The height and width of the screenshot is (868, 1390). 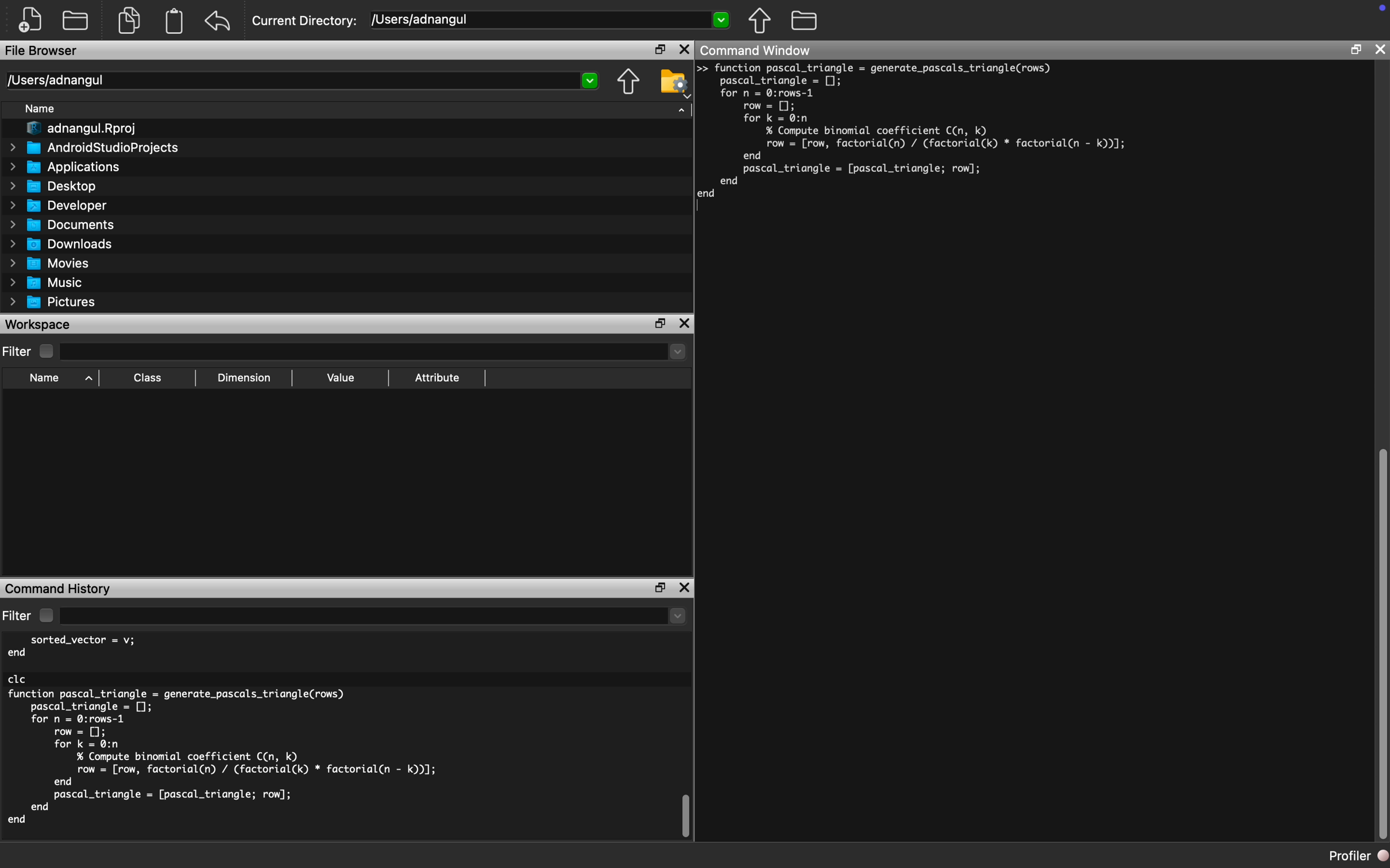 I want to click on Developer, so click(x=59, y=206).